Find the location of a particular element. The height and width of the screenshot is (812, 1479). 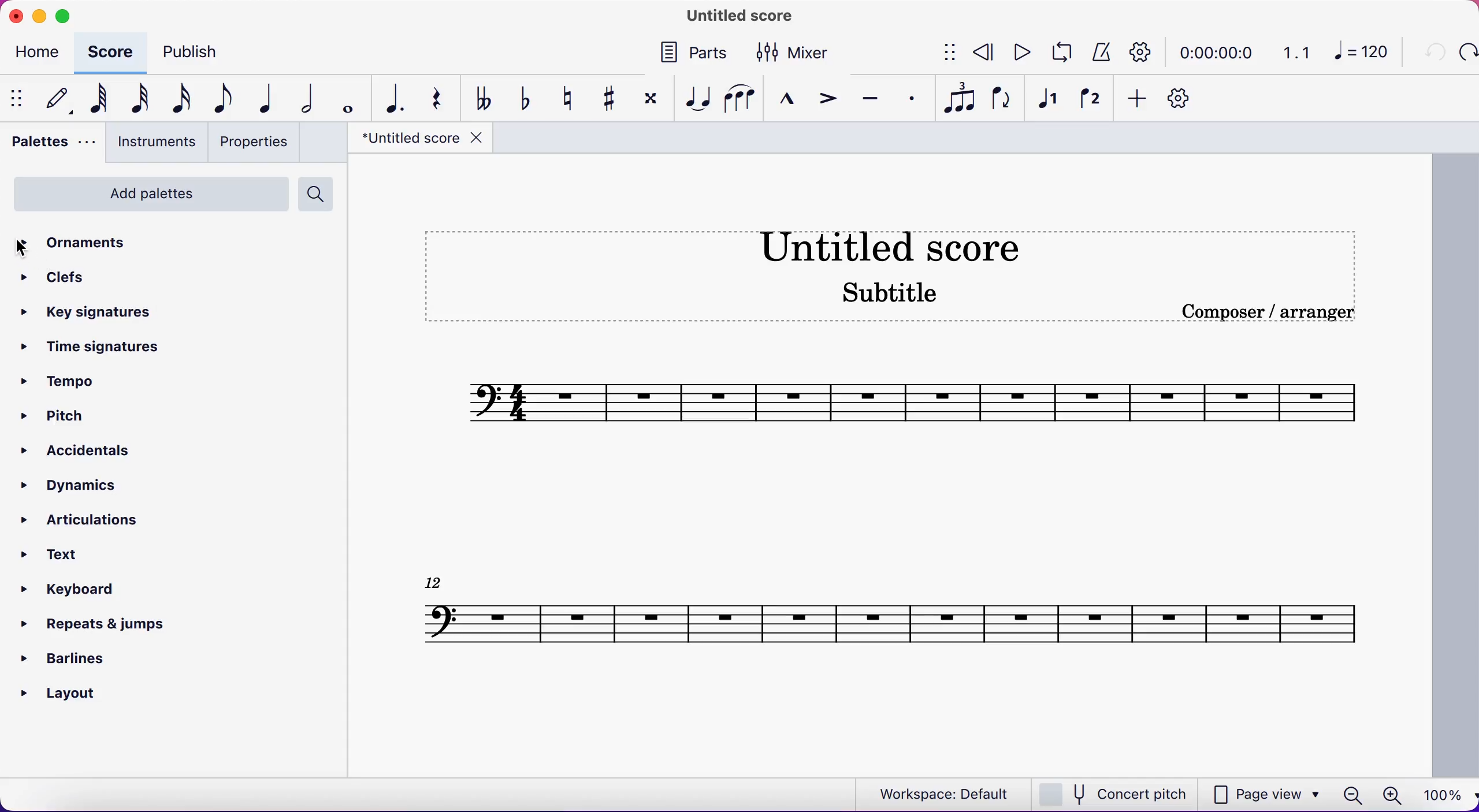

accidentals is located at coordinates (73, 453).